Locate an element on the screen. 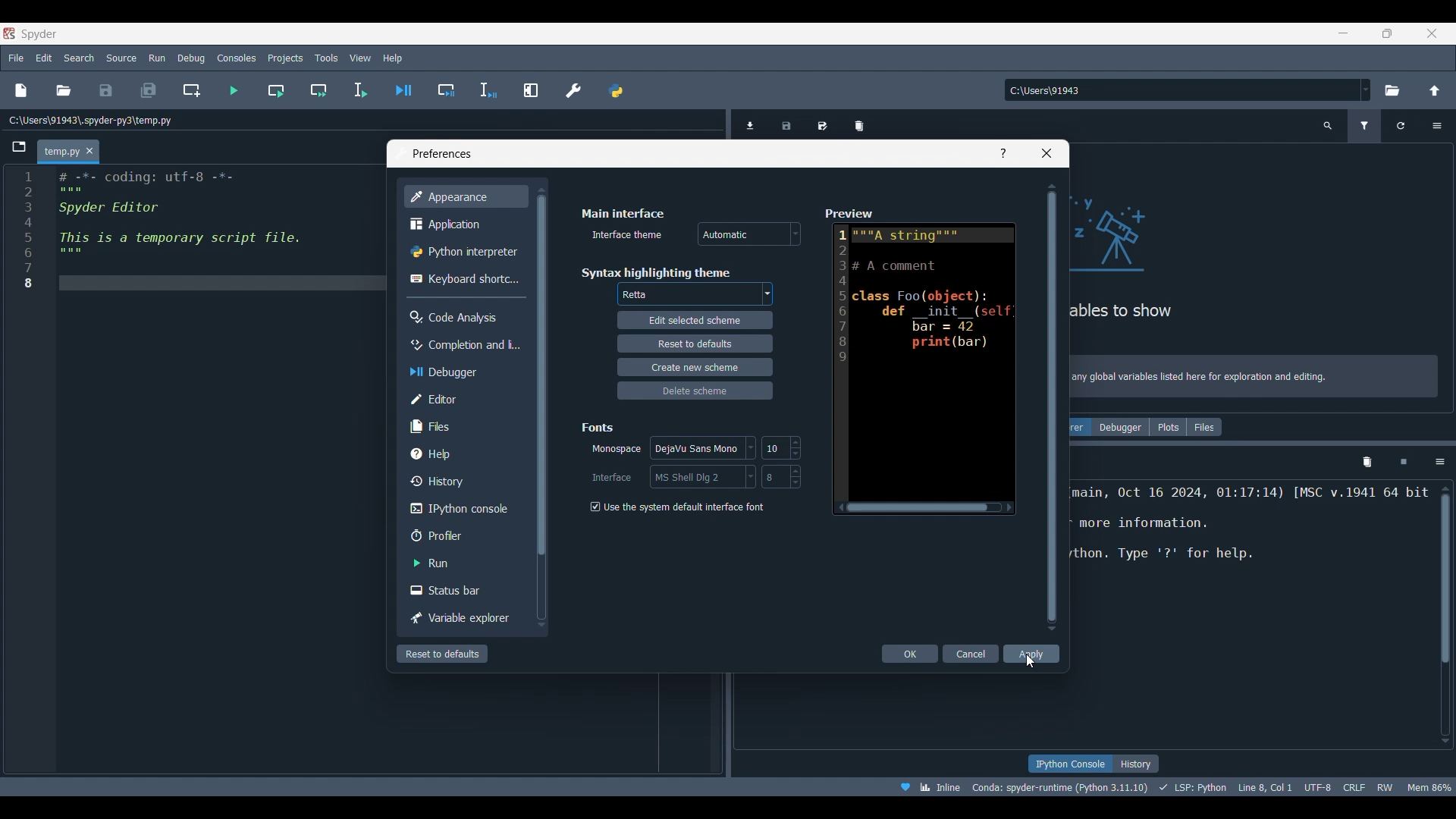 The width and height of the screenshot is (1456, 819). Interrupt kernel is located at coordinates (1404, 463).